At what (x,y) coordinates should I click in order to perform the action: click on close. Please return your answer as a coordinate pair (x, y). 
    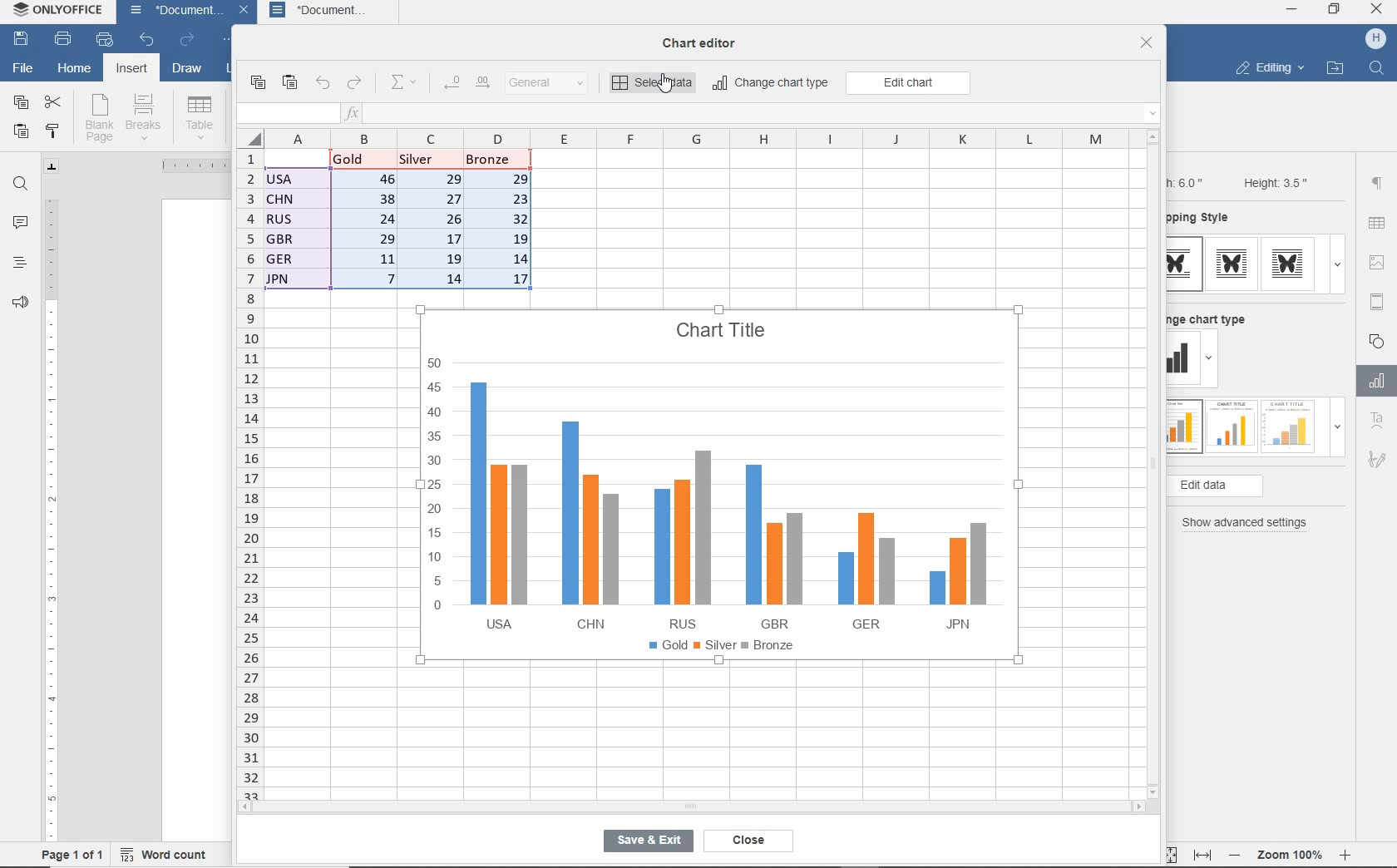
    Looking at the image, I should click on (1147, 44).